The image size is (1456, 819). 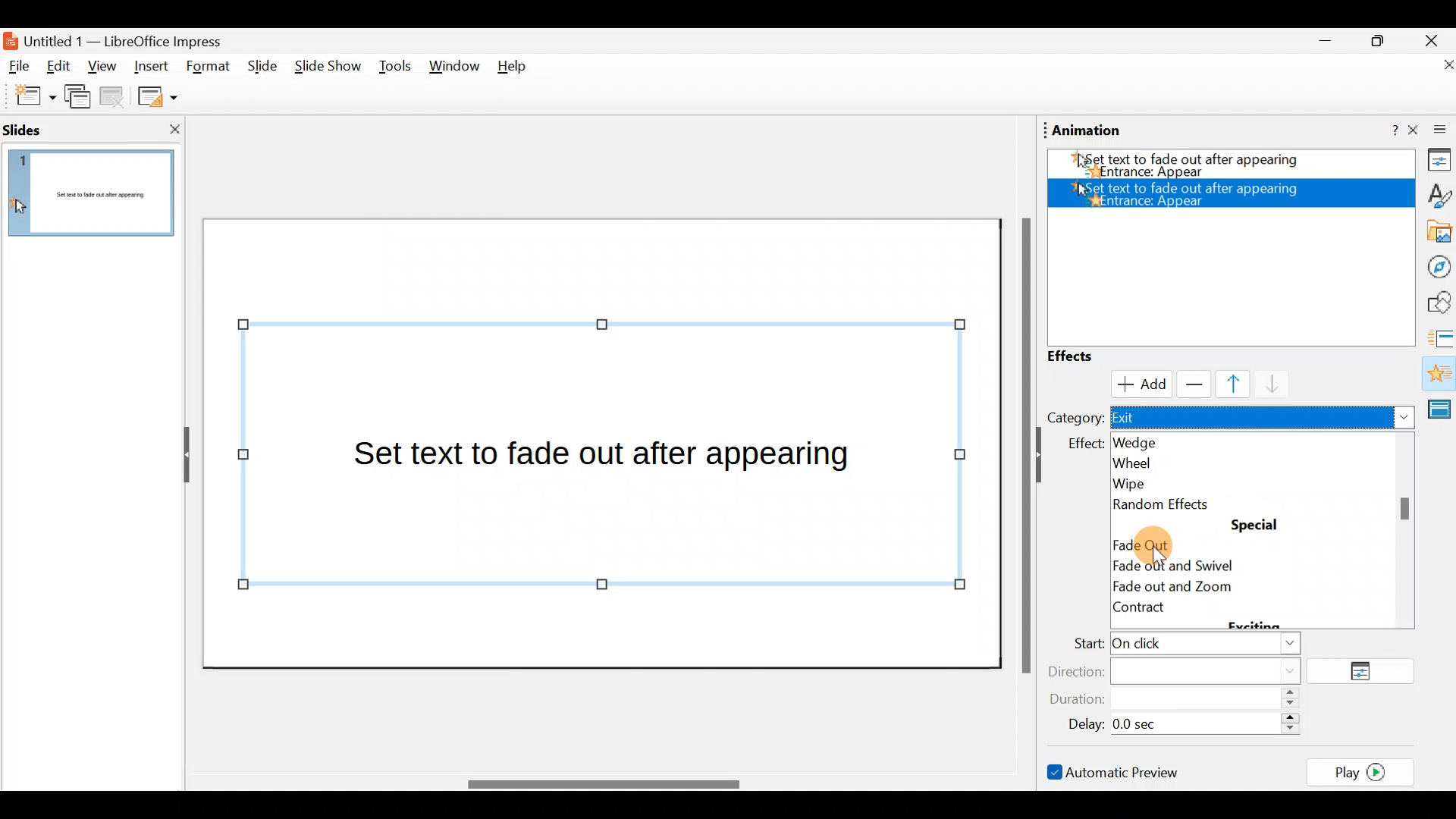 I want to click on New slide, so click(x=28, y=96).